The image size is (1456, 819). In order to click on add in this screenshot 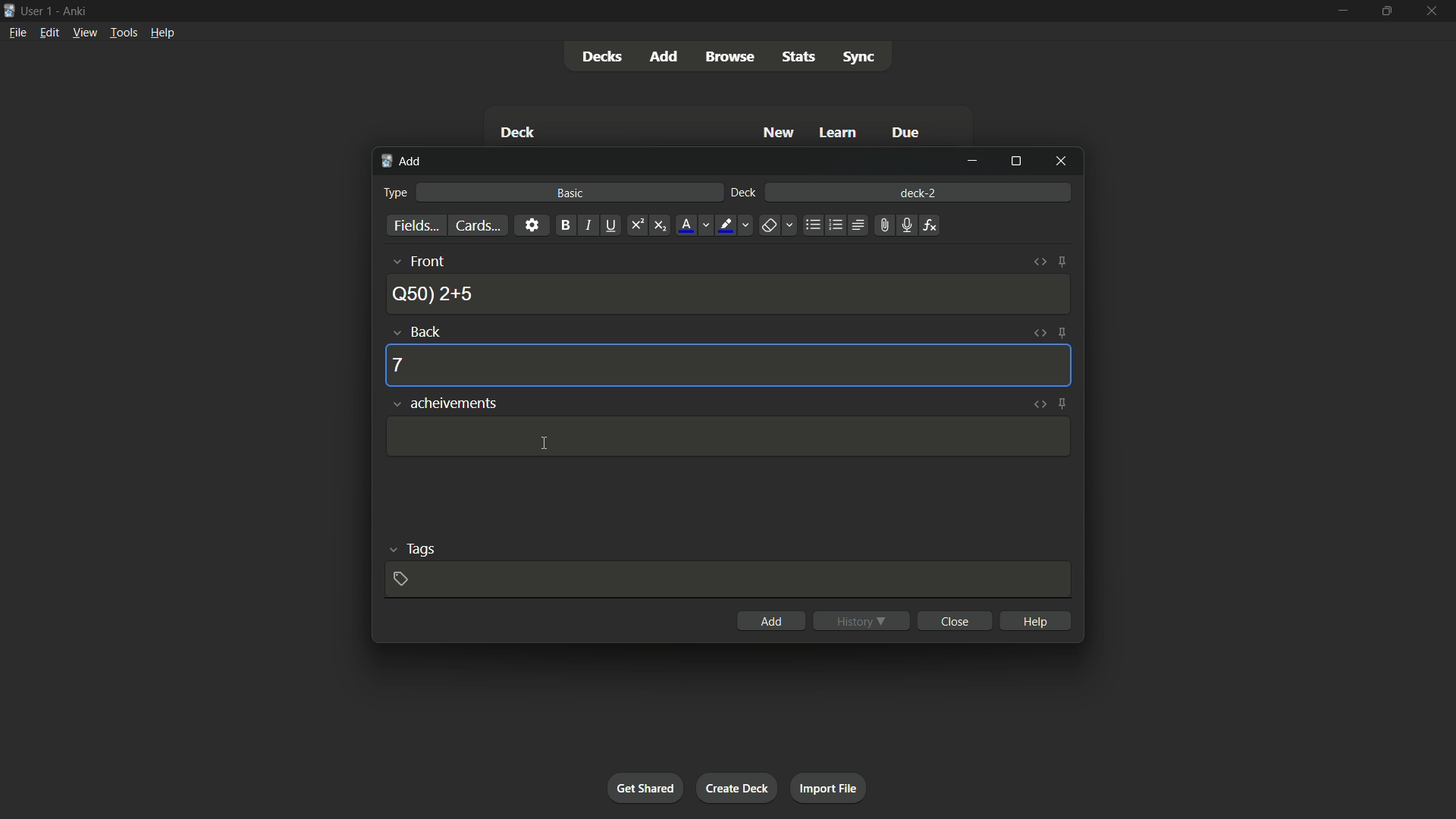, I will do `click(401, 162)`.